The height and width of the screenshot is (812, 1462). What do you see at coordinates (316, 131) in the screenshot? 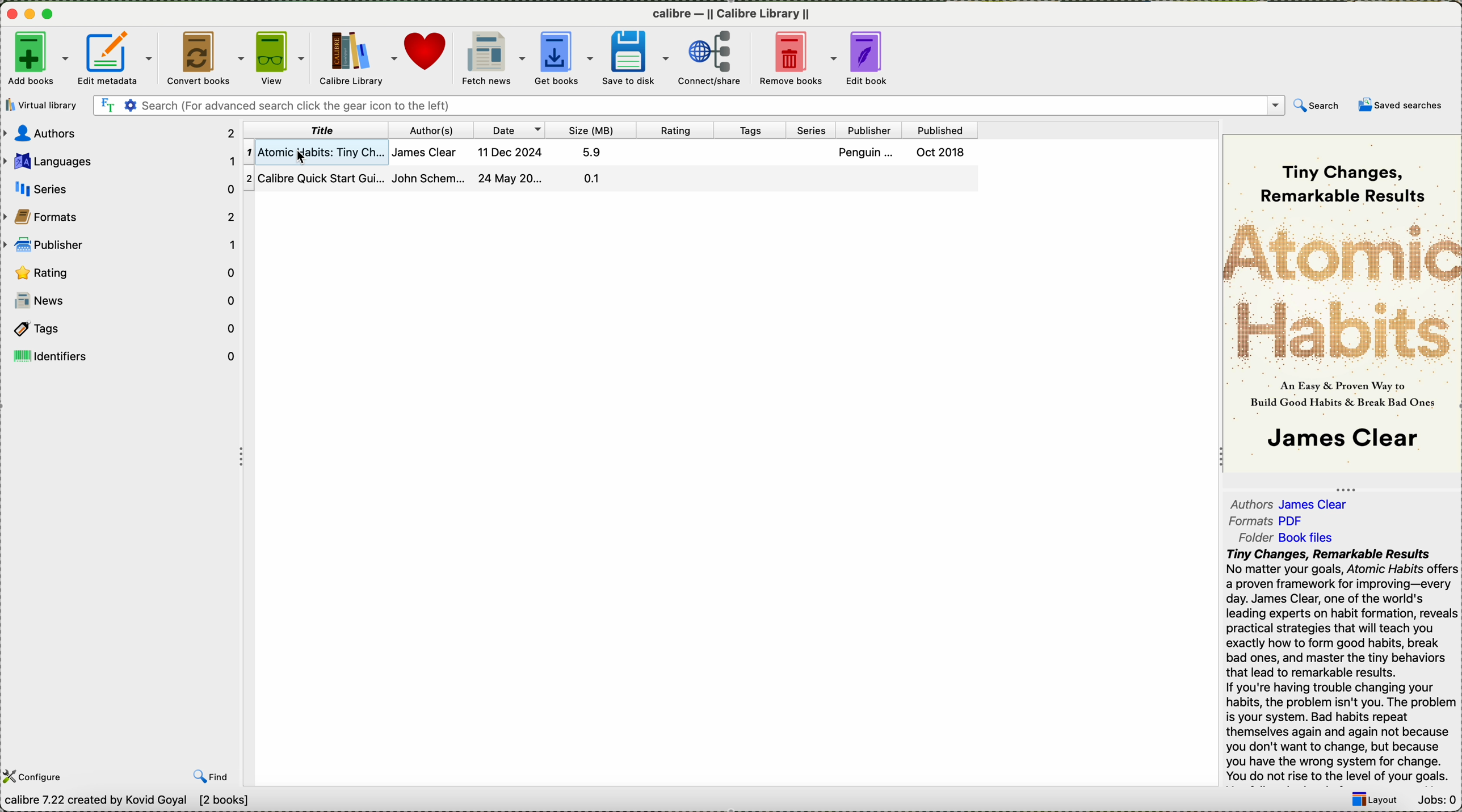
I see `title` at bounding box center [316, 131].